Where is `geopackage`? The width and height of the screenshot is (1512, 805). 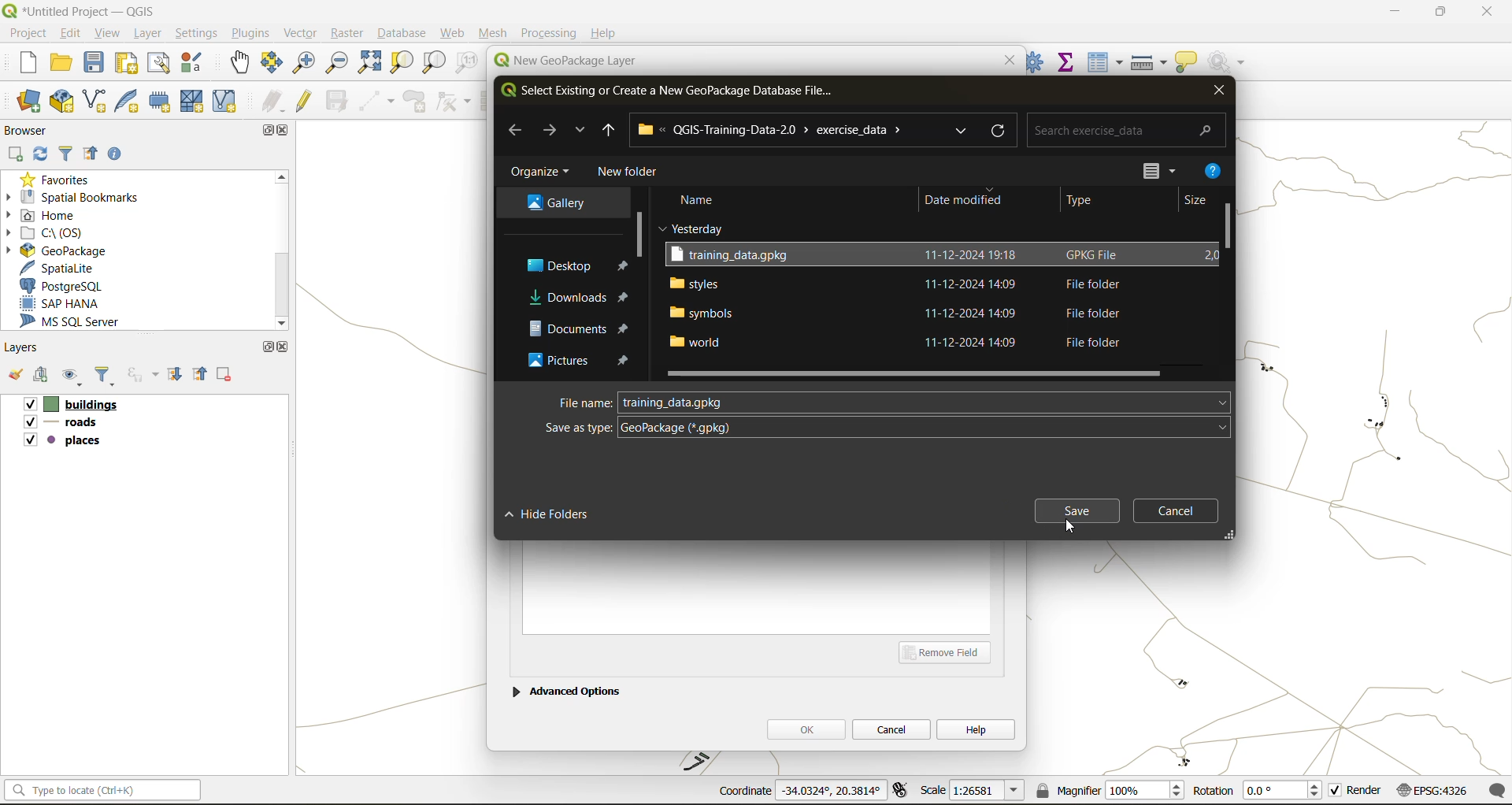
geopackage is located at coordinates (55, 249).